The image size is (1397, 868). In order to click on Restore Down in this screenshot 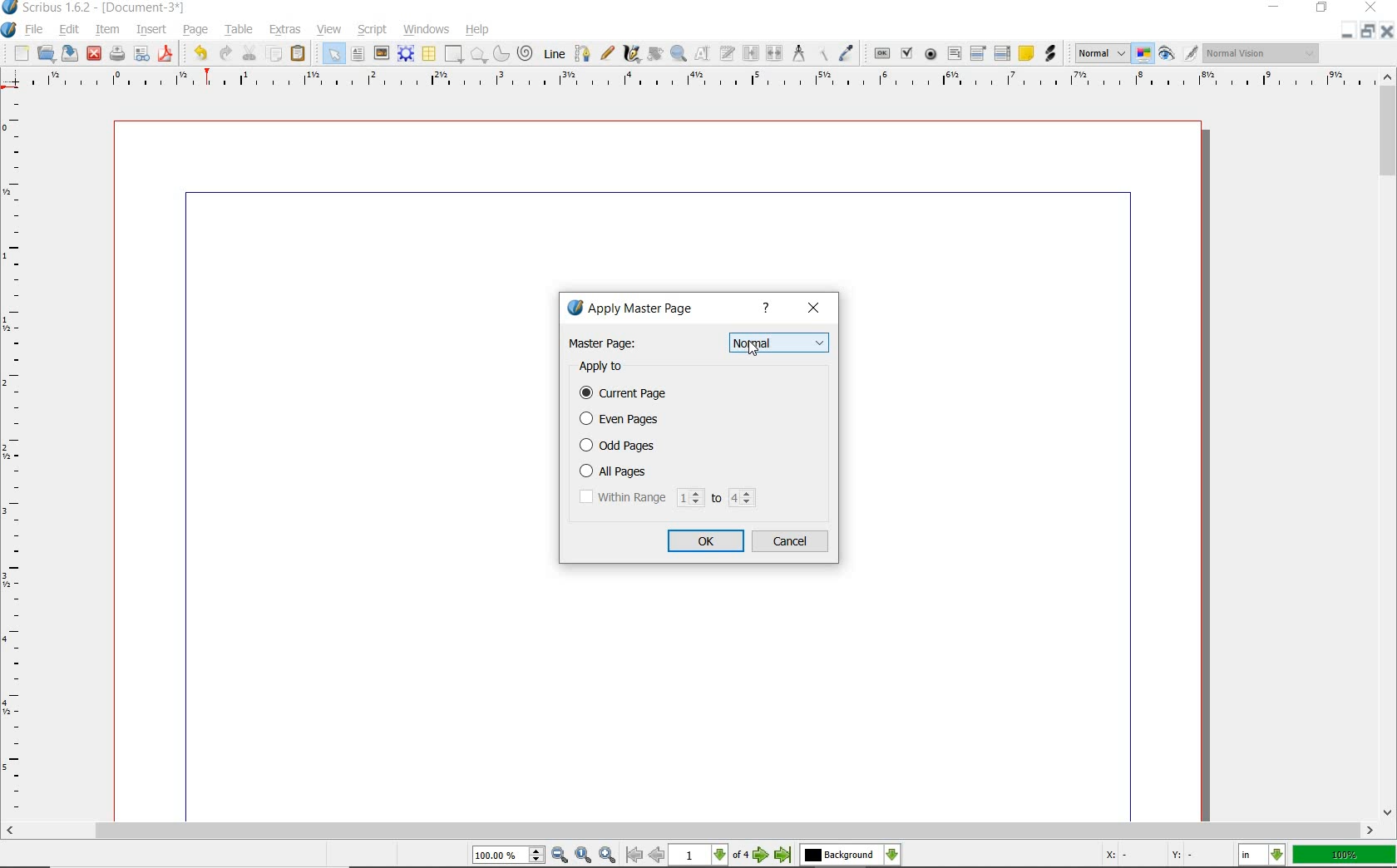, I will do `click(1346, 33)`.